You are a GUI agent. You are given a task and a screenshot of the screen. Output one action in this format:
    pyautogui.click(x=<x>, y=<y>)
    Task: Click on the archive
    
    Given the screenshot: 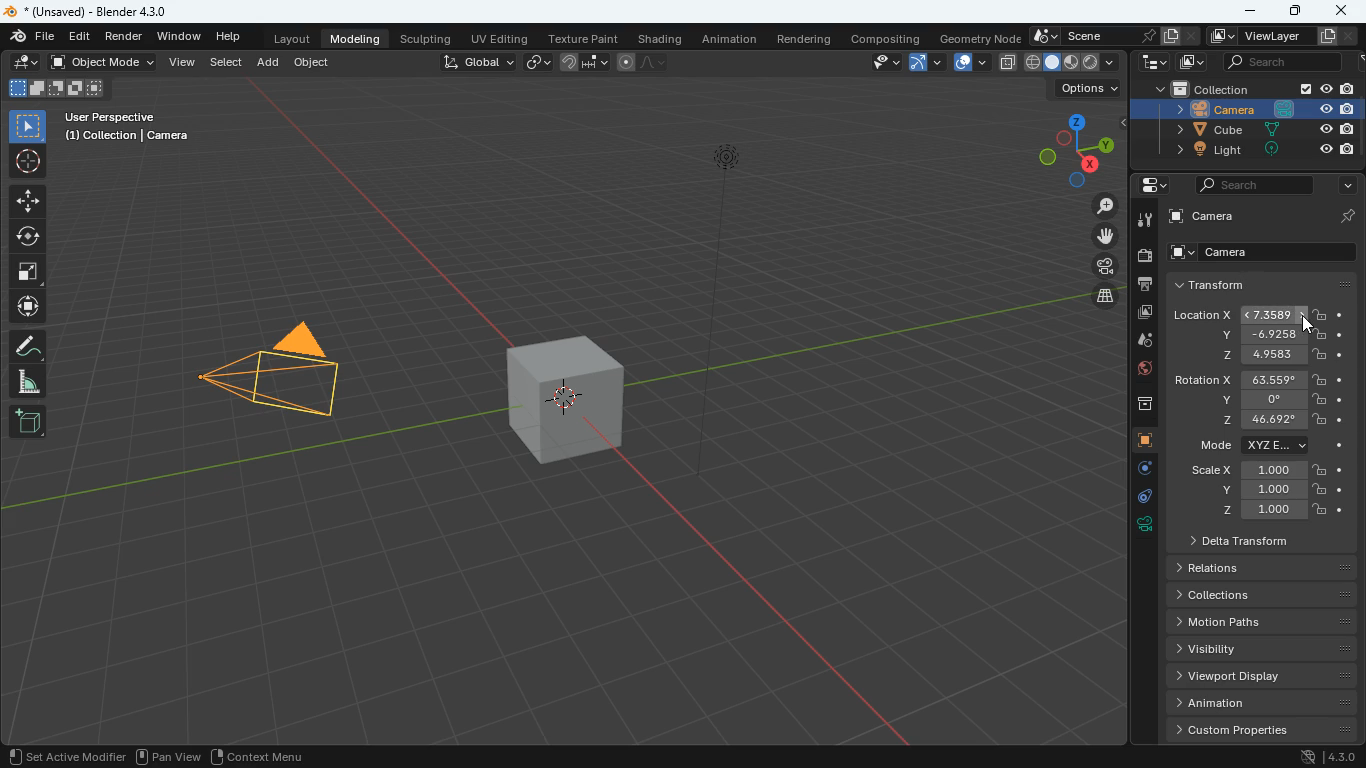 What is the action you would take?
    pyautogui.click(x=1133, y=405)
    